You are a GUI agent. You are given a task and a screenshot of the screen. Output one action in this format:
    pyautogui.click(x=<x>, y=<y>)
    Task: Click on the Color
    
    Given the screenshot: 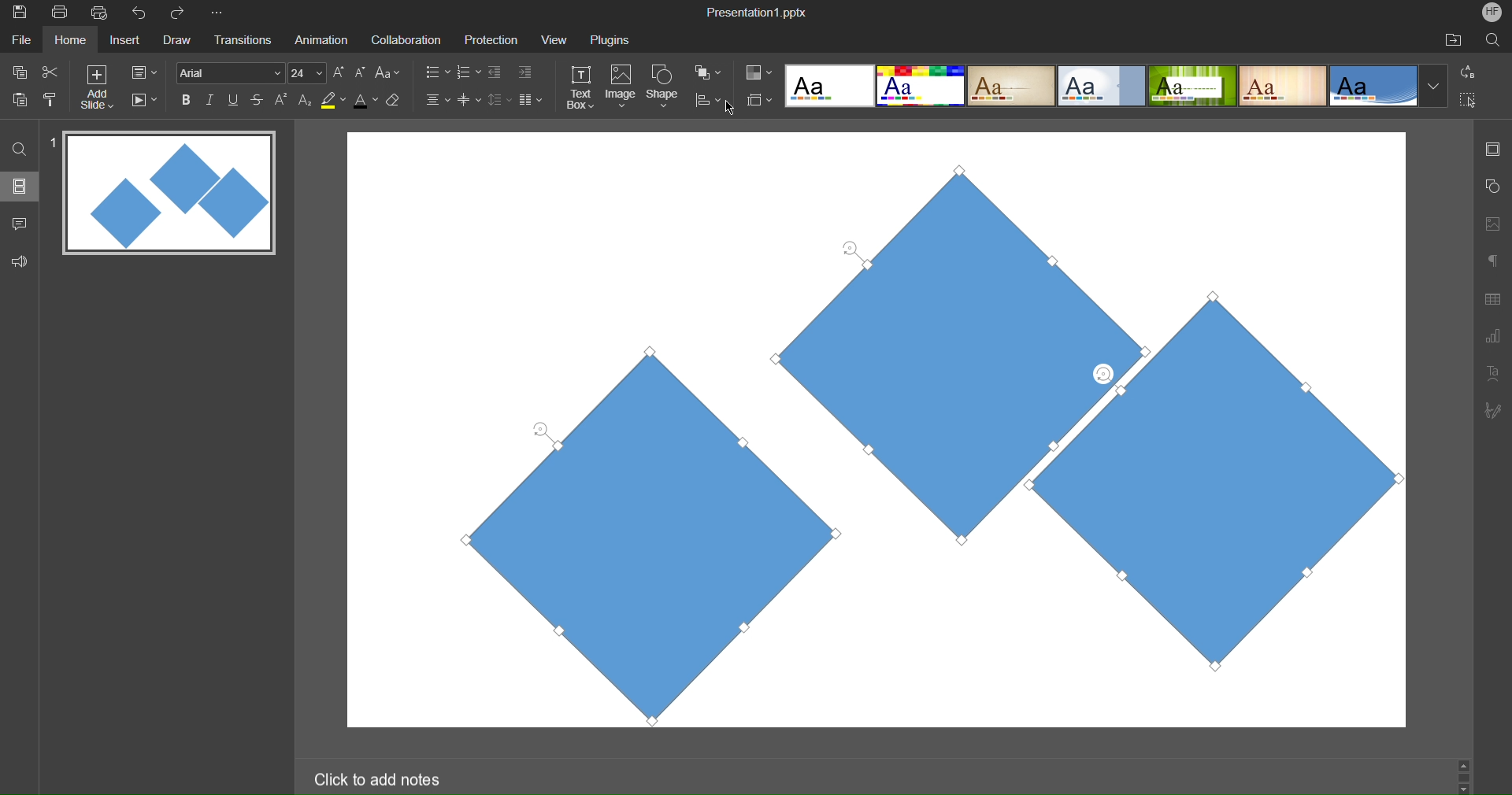 What is the action you would take?
    pyautogui.click(x=759, y=72)
    